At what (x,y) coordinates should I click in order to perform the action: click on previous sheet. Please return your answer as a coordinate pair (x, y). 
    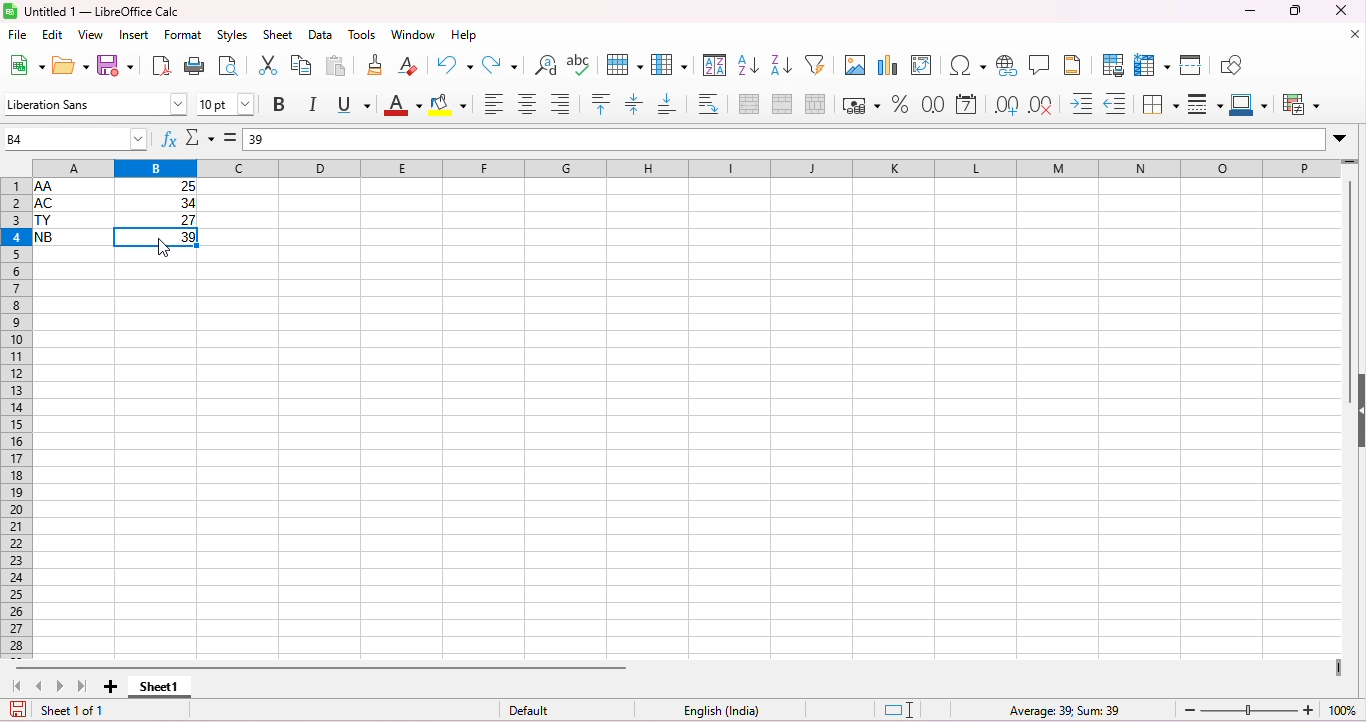
    Looking at the image, I should click on (41, 686).